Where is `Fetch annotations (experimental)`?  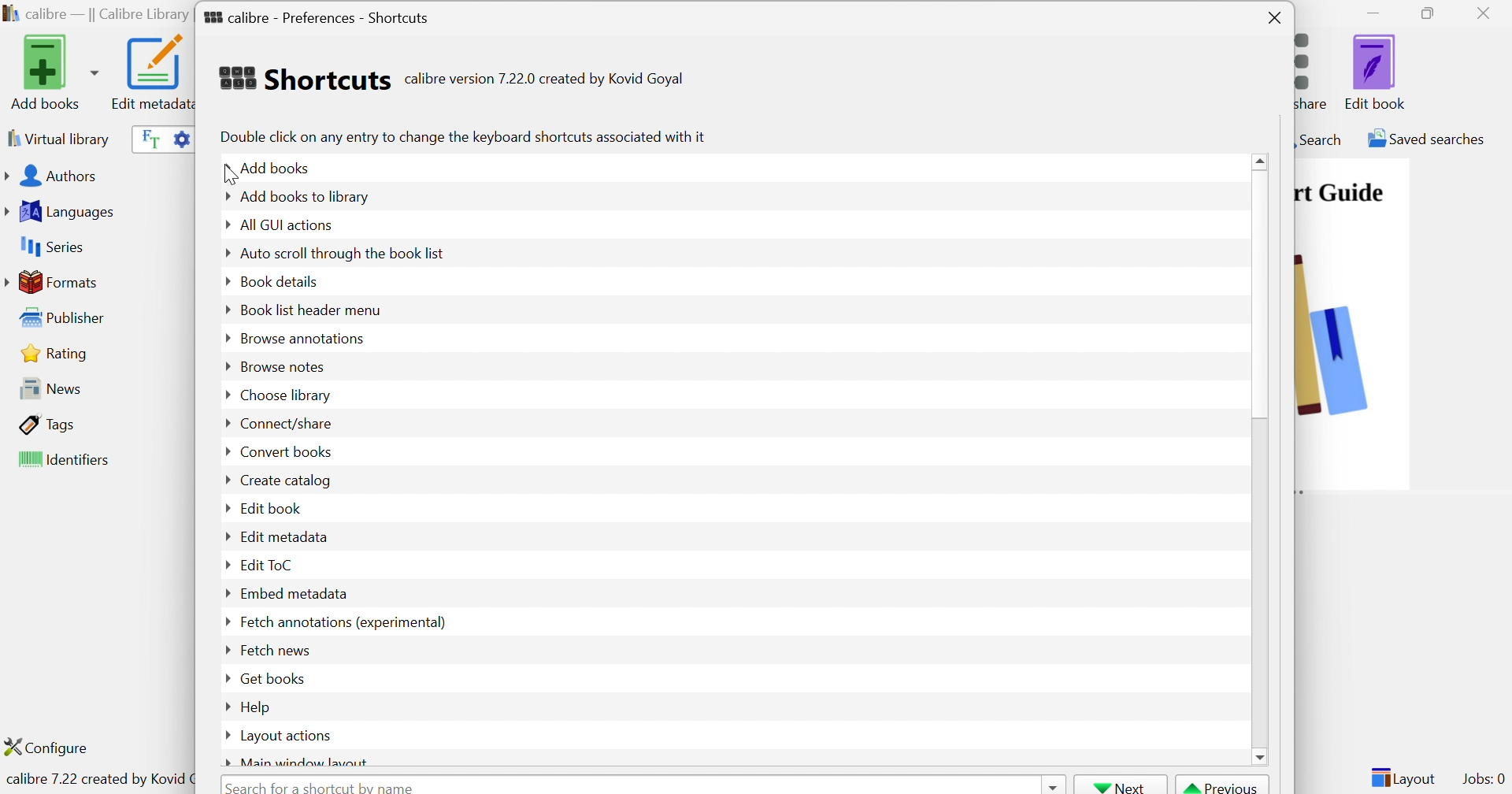
Fetch annotations (experimental) is located at coordinates (341, 621).